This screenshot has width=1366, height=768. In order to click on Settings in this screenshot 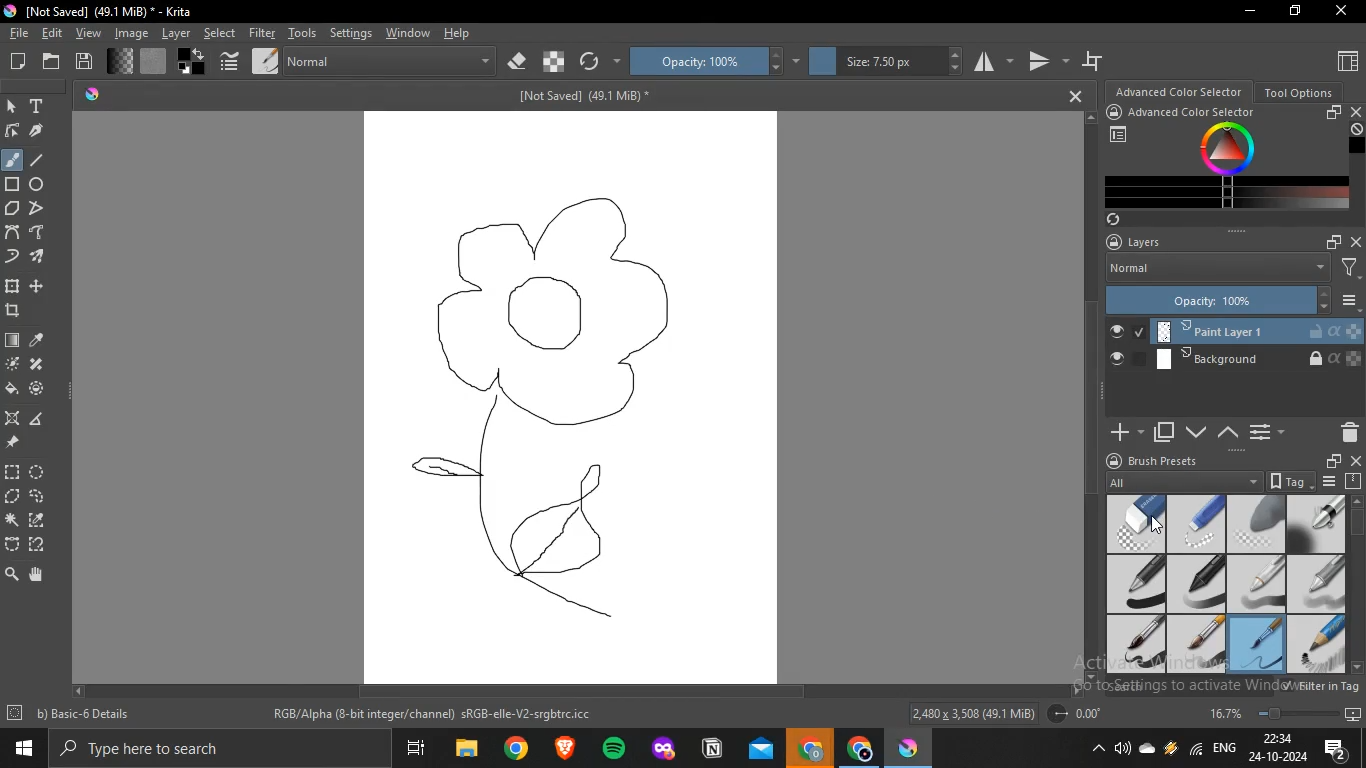, I will do `click(15, 714)`.